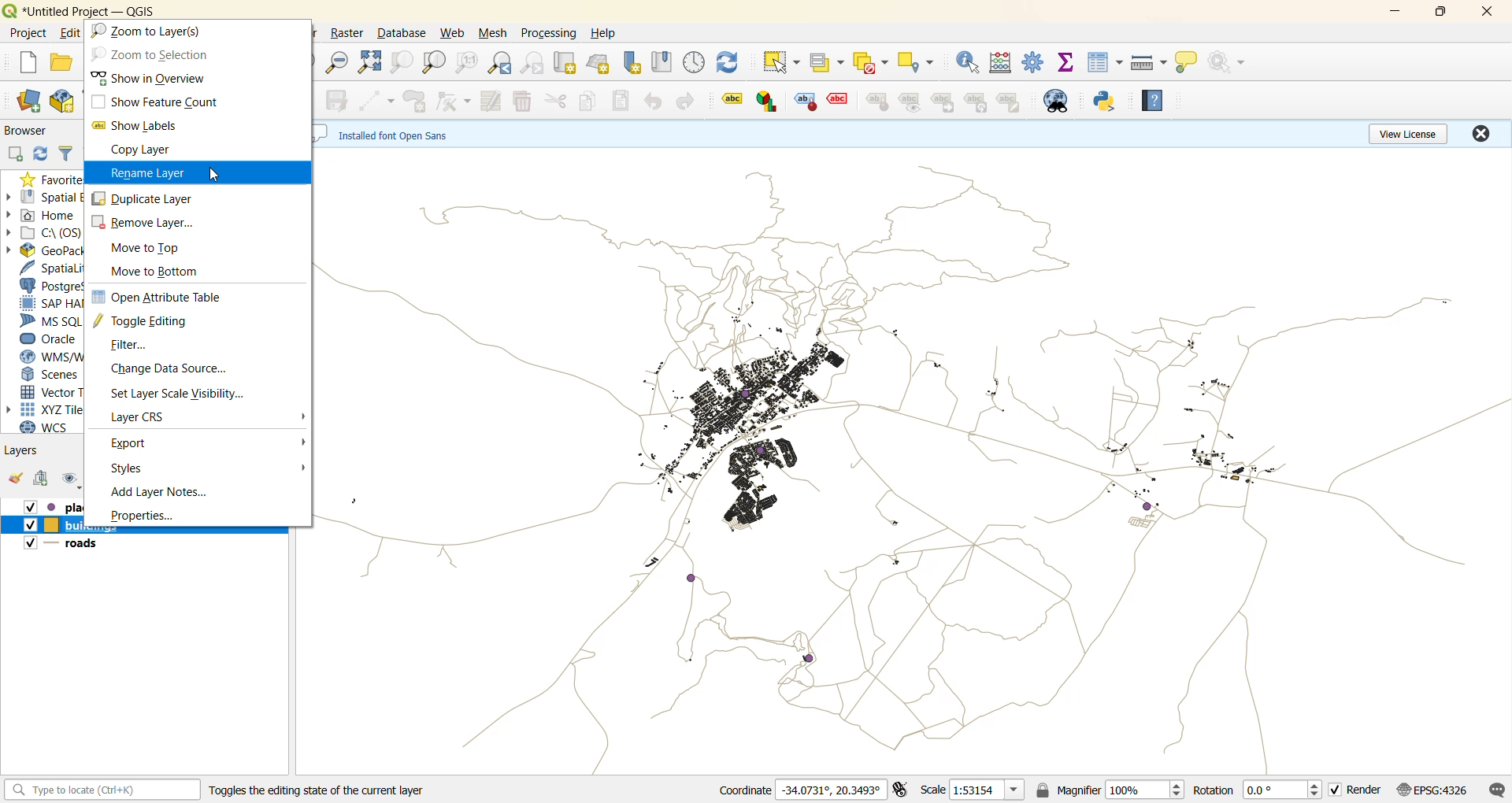  I want to click on new map view, so click(567, 64).